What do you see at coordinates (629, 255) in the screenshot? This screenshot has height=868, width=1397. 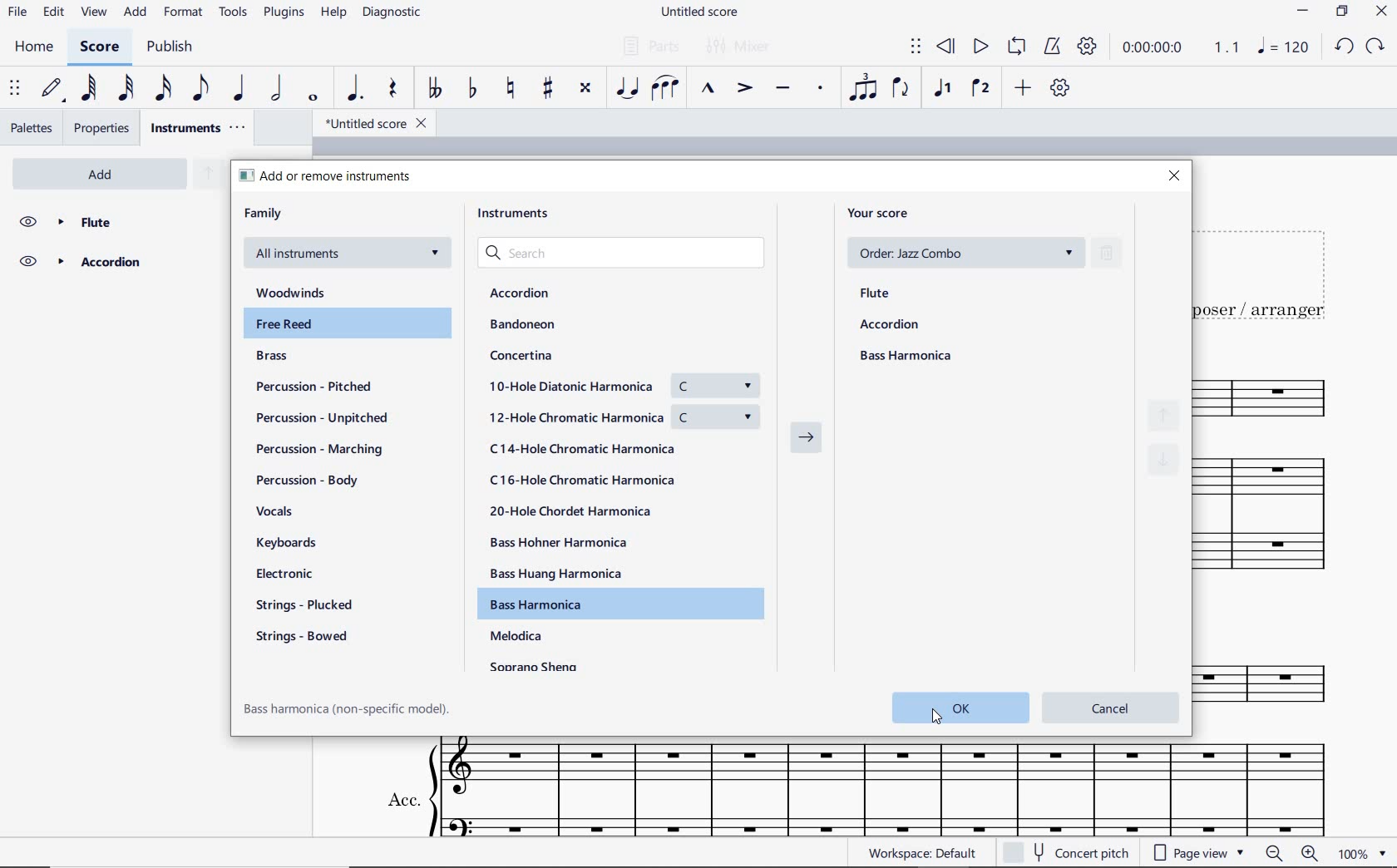 I see `search` at bounding box center [629, 255].